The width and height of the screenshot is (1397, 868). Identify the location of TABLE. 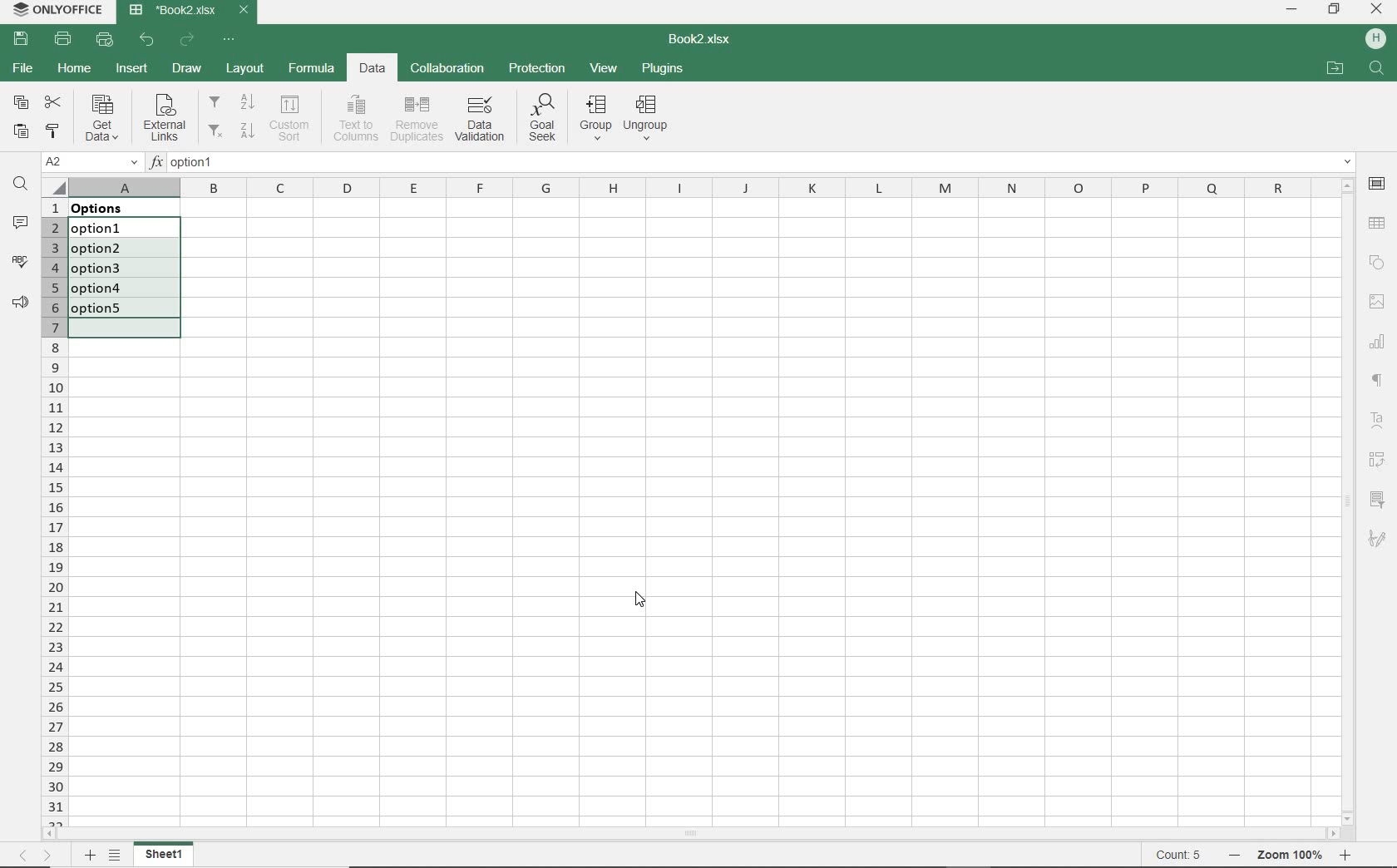
(1376, 224).